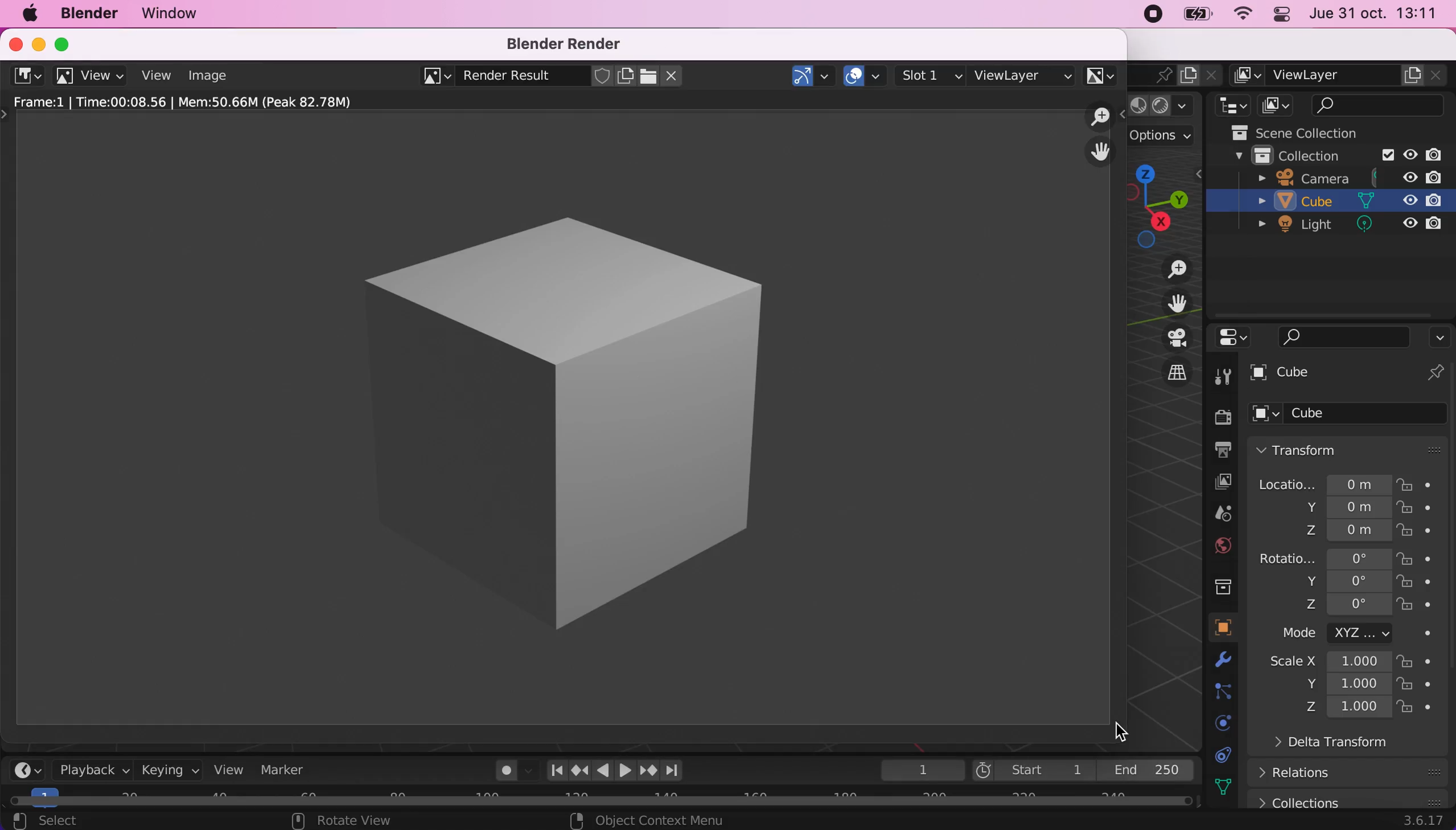 This screenshot has width=1456, height=830. What do you see at coordinates (1168, 270) in the screenshot?
I see `zoom in/out` at bounding box center [1168, 270].